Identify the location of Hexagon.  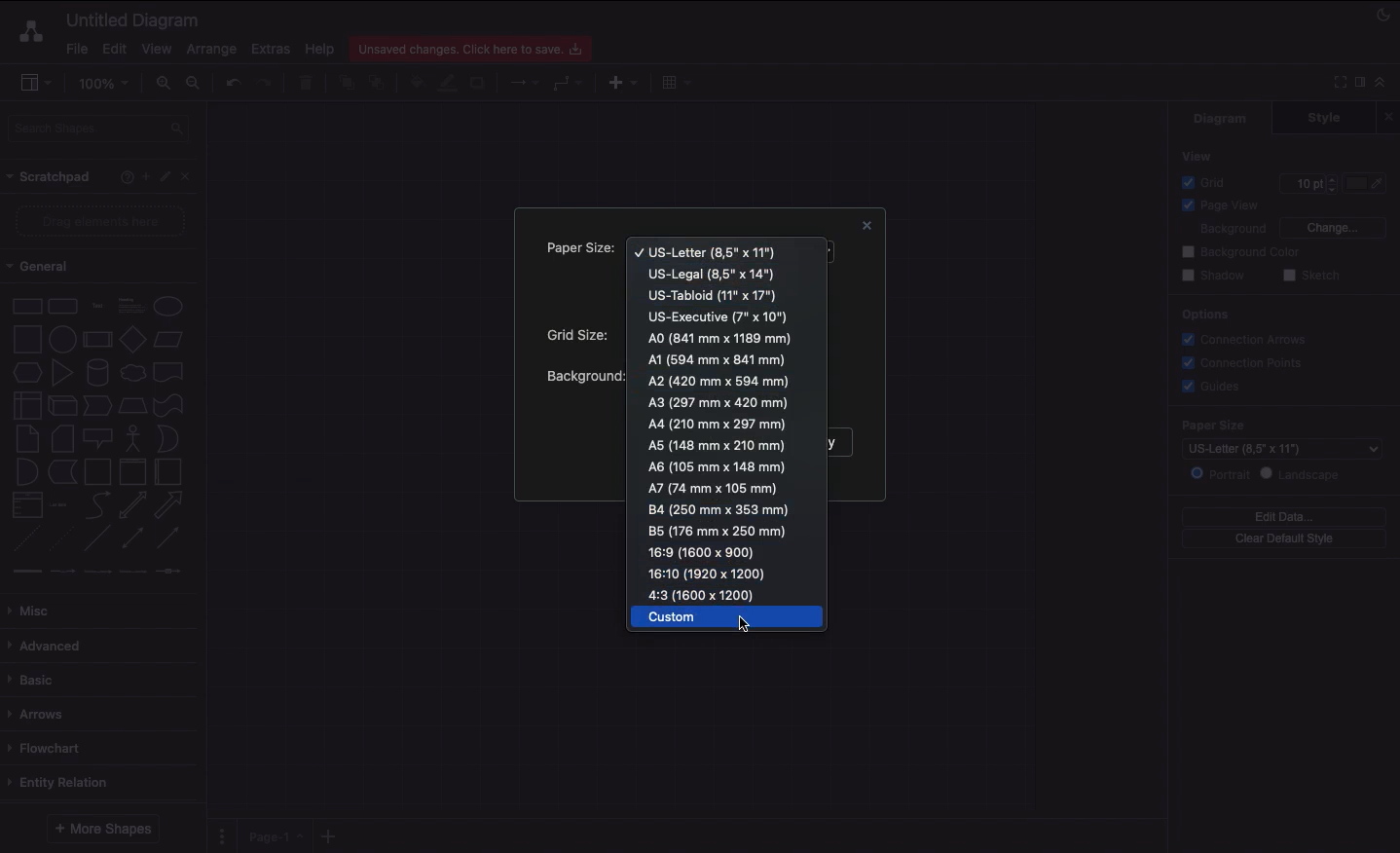
(26, 373).